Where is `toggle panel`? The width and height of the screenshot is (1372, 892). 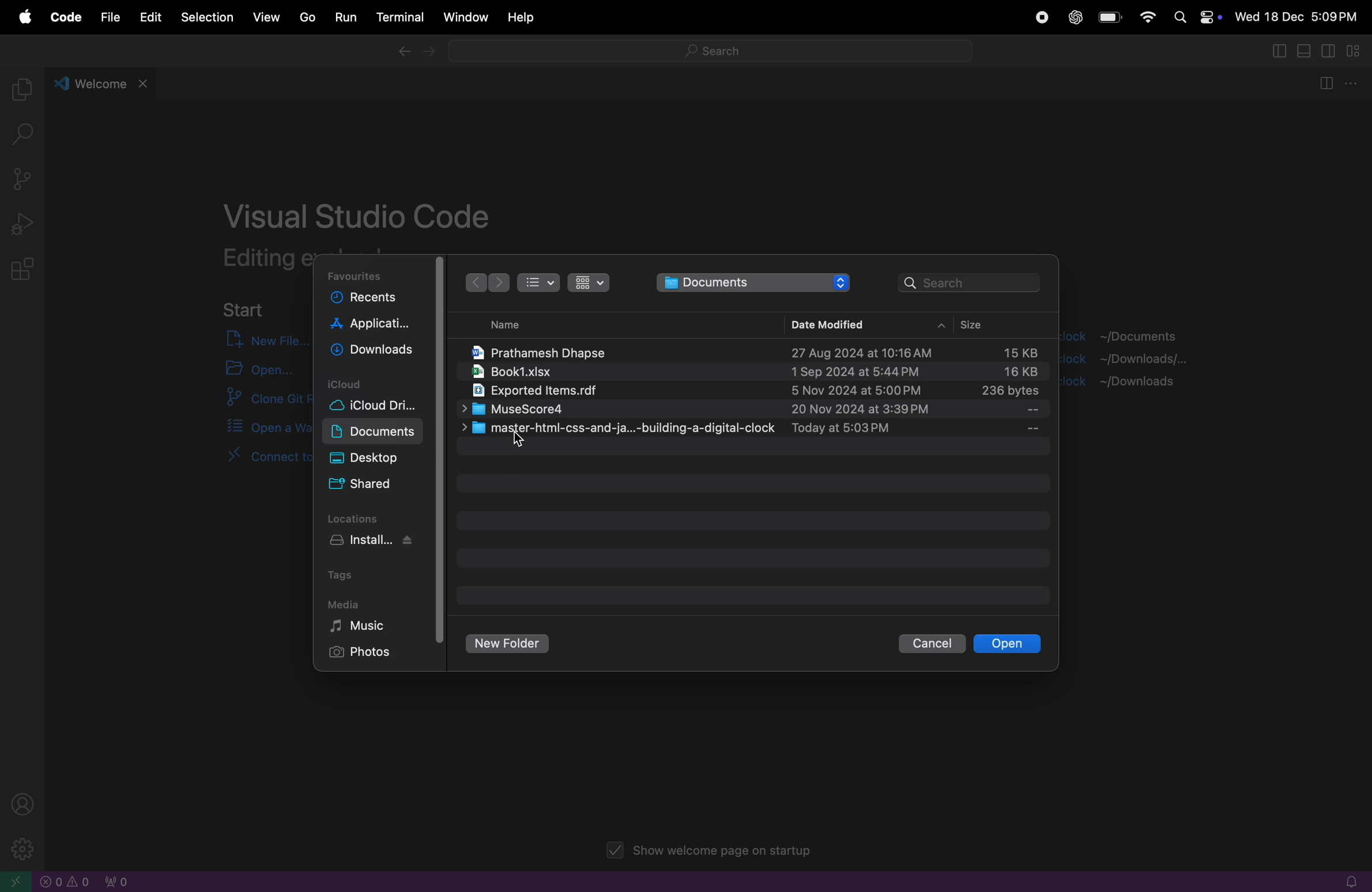 toggle panel is located at coordinates (1306, 51).